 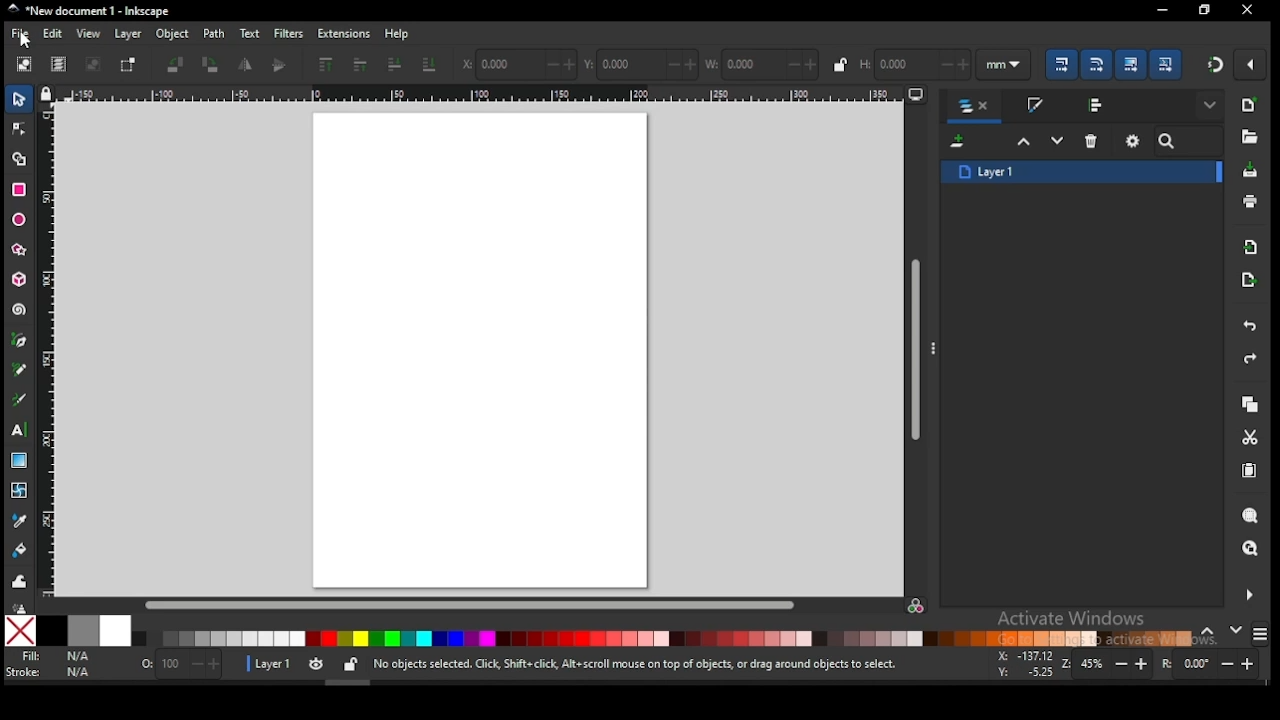 I want to click on rotation, so click(x=1214, y=664).